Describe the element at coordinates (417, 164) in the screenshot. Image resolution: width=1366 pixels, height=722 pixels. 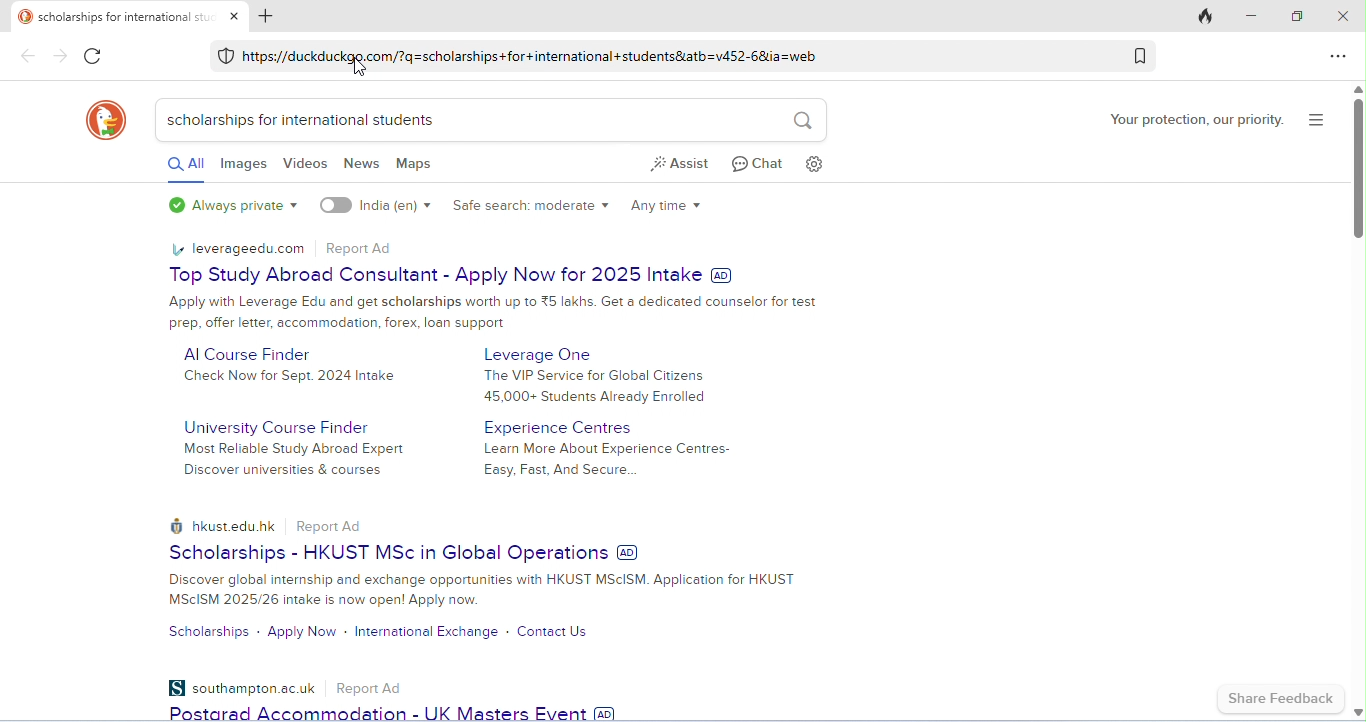
I see `maps` at that location.